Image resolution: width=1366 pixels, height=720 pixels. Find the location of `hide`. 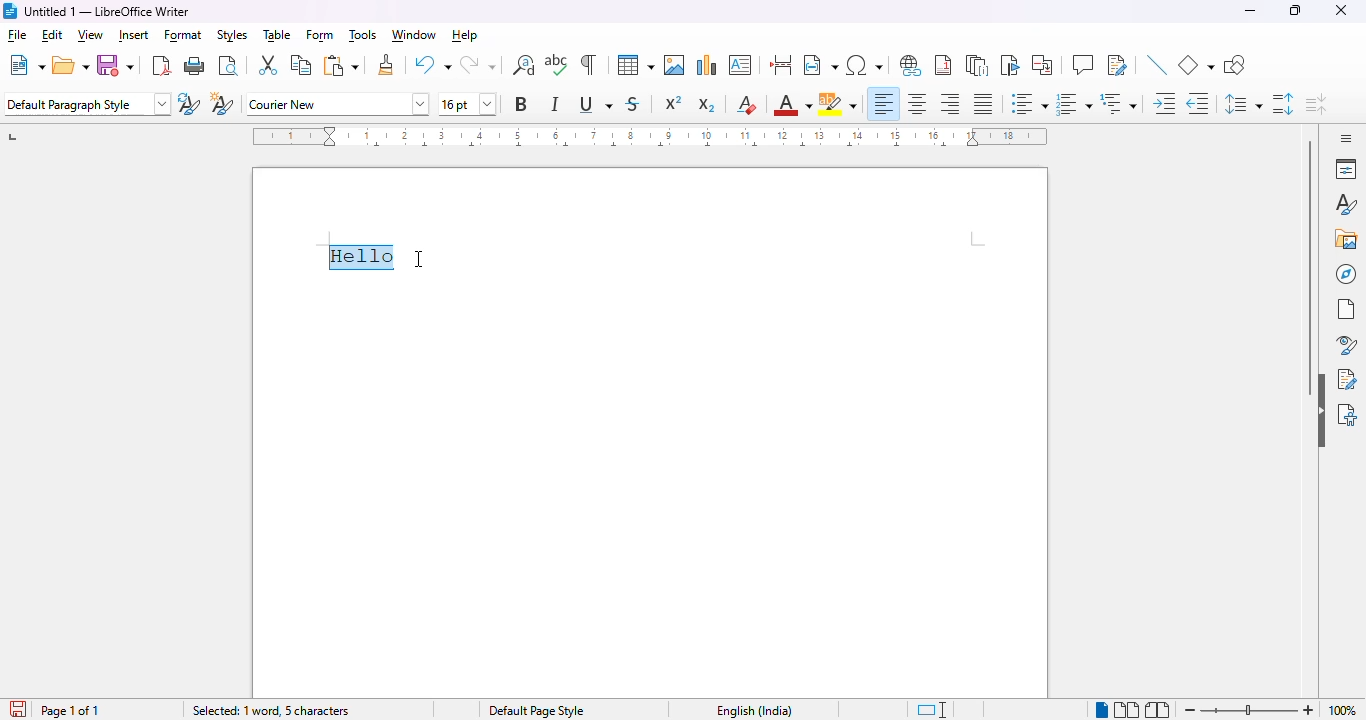

hide is located at coordinates (1320, 411).